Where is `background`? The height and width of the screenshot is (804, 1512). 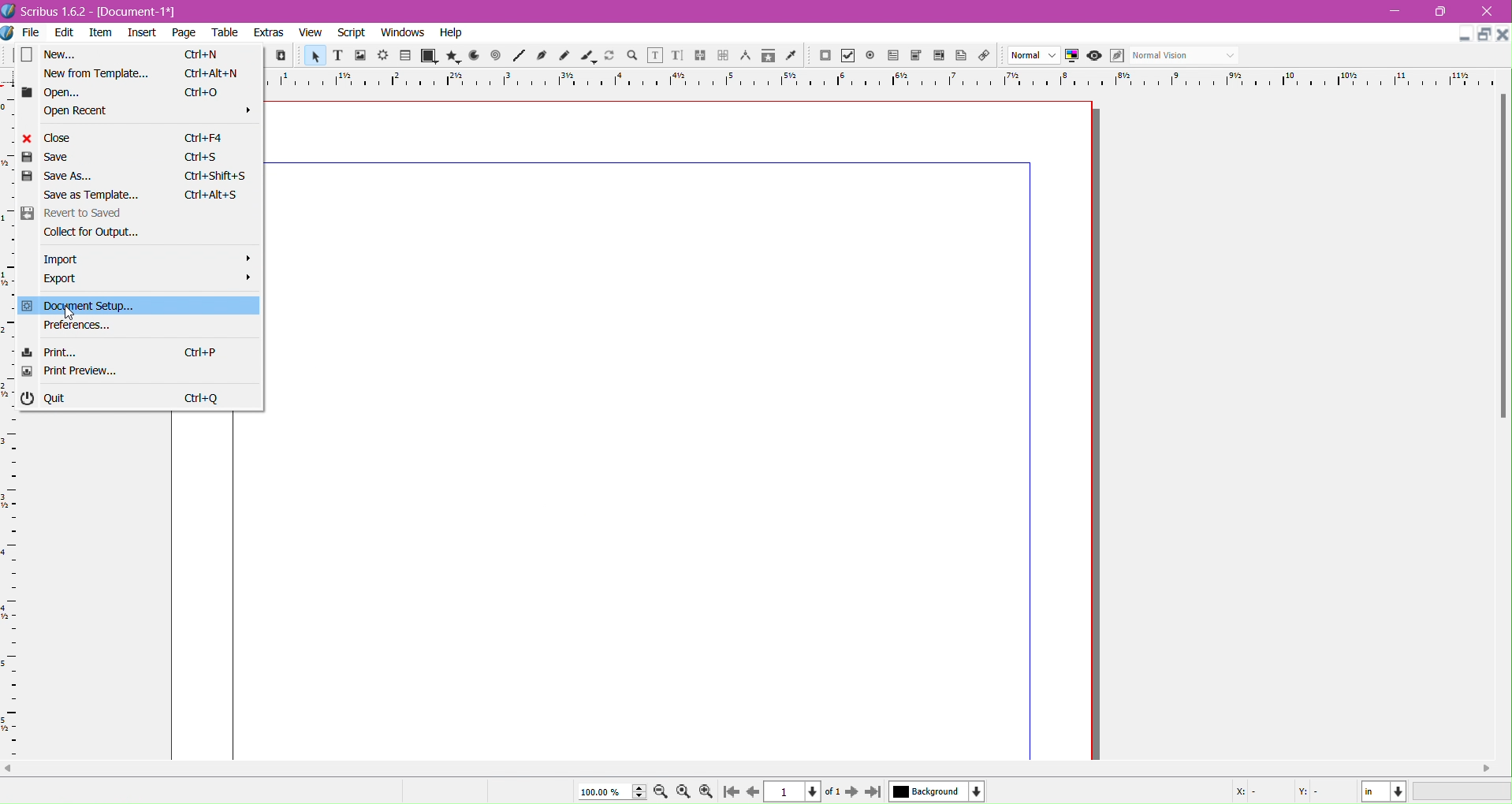 background is located at coordinates (937, 791).